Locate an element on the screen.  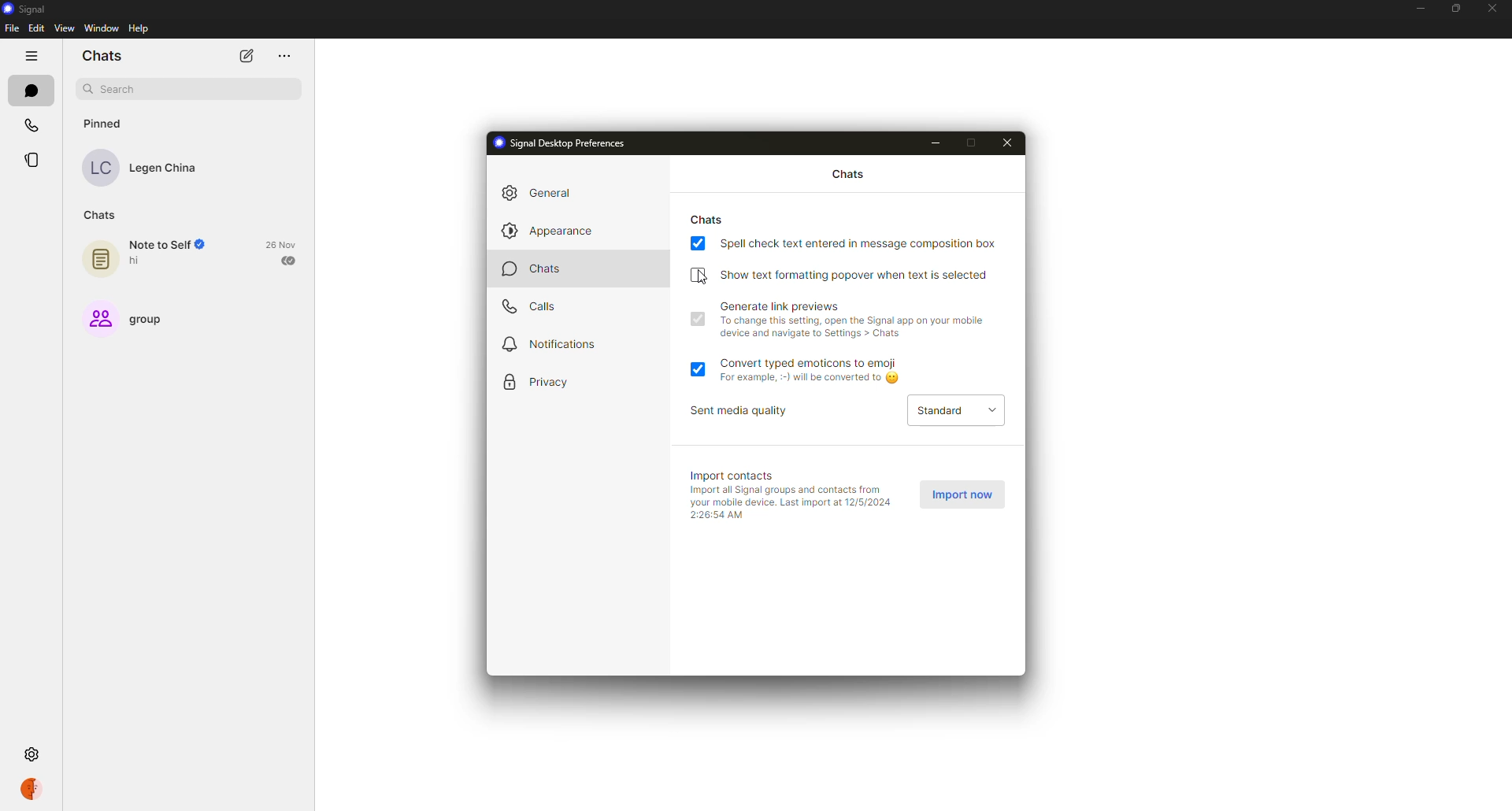
notifications is located at coordinates (554, 345).